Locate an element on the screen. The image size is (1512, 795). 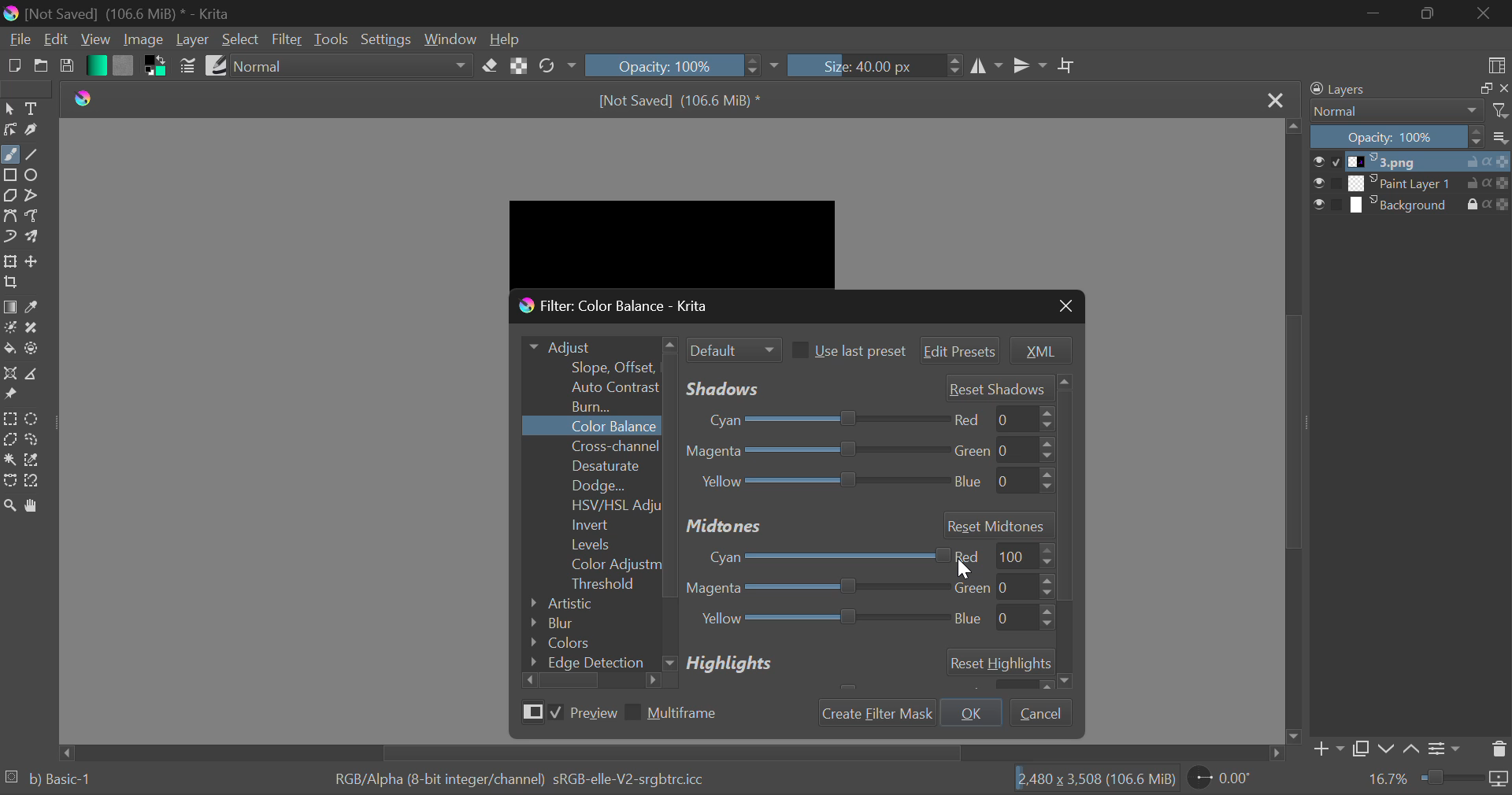
Preview is located at coordinates (566, 712).